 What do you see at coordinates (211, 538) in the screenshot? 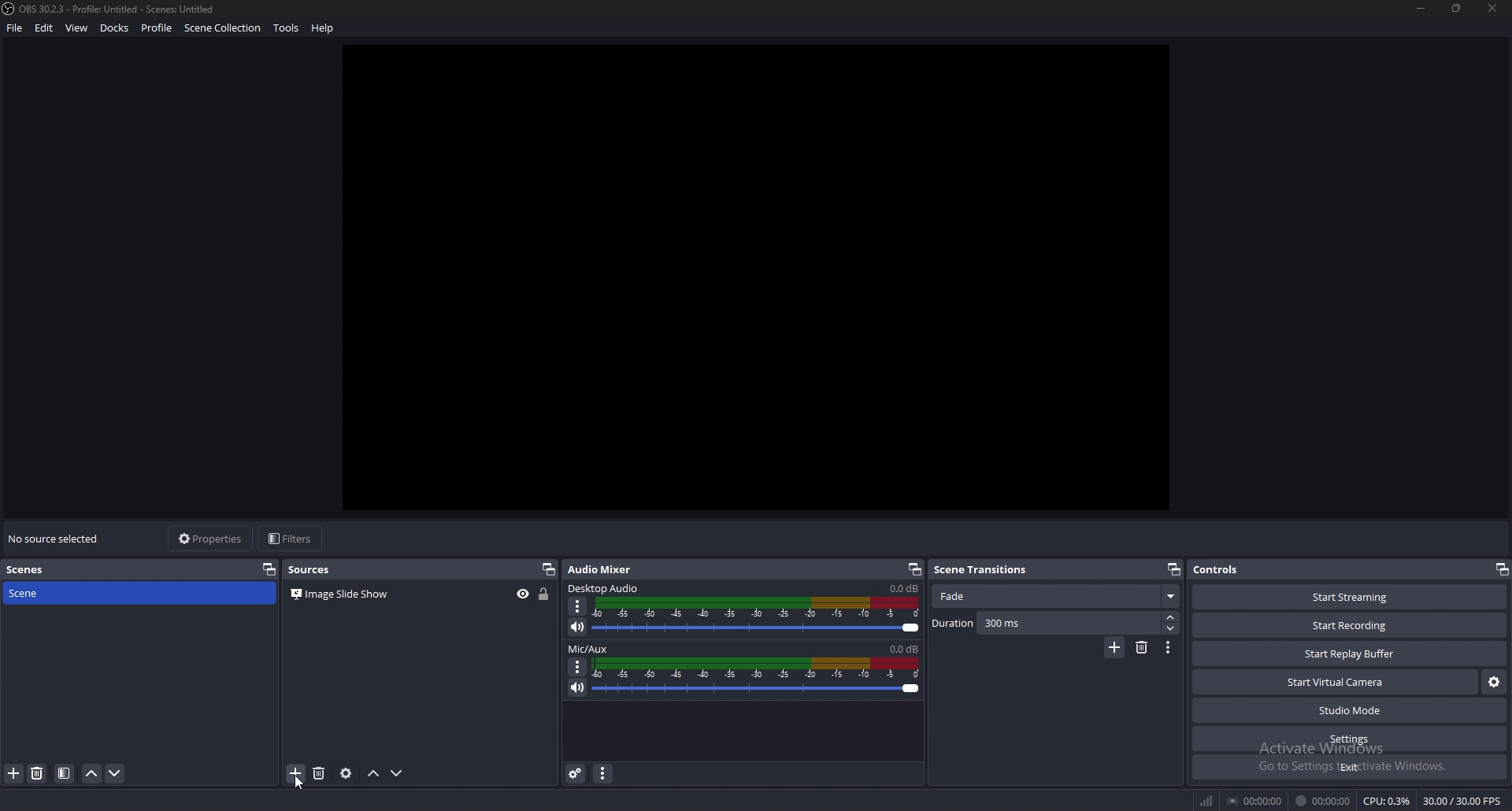
I see `properties` at bounding box center [211, 538].